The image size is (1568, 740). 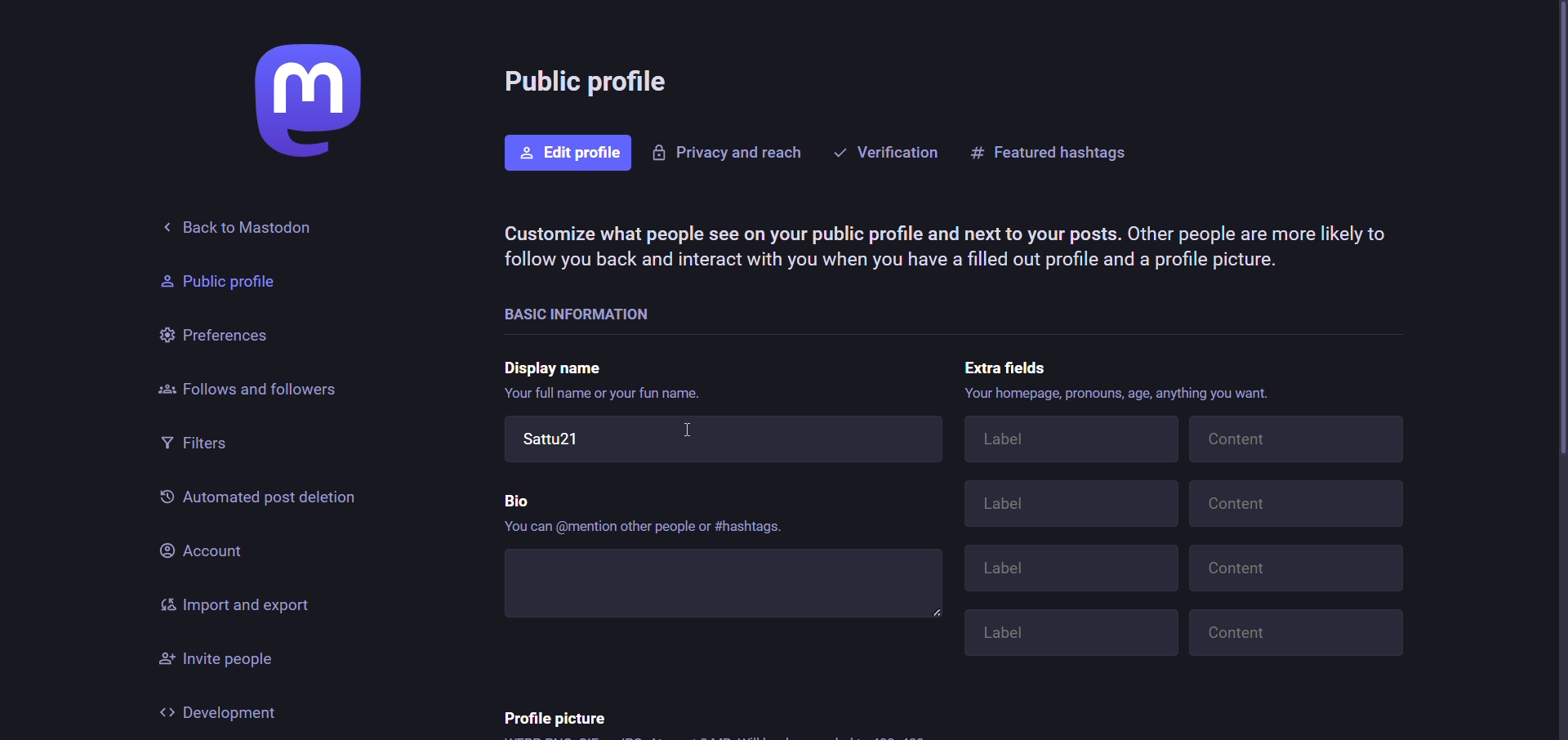 What do you see at coordinates (227, 660) in the screenshot?
I see `invite people` at bounding box center [227, 660].